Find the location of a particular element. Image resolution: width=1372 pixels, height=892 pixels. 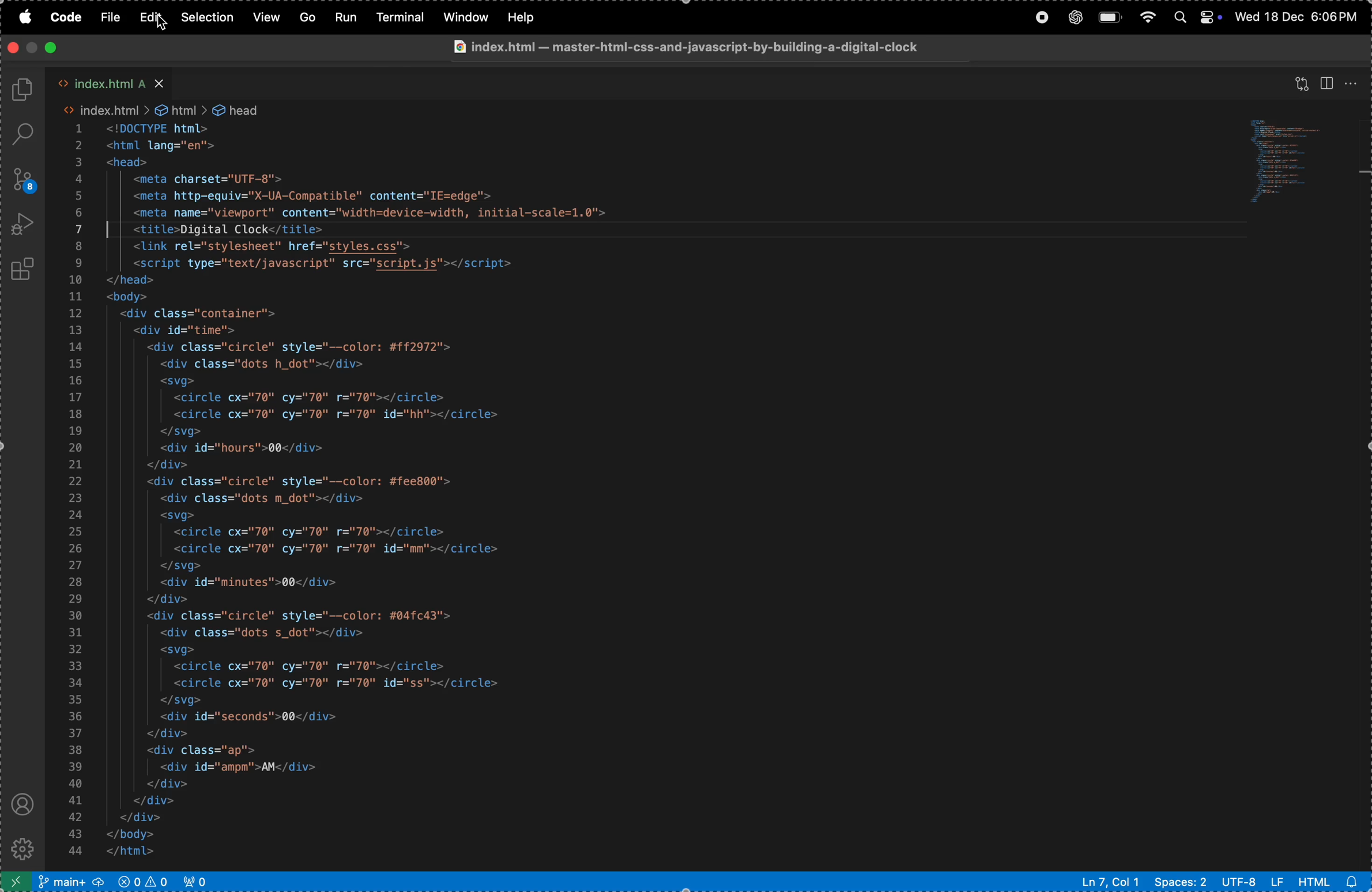

record is located at coordinates (1038, 17).